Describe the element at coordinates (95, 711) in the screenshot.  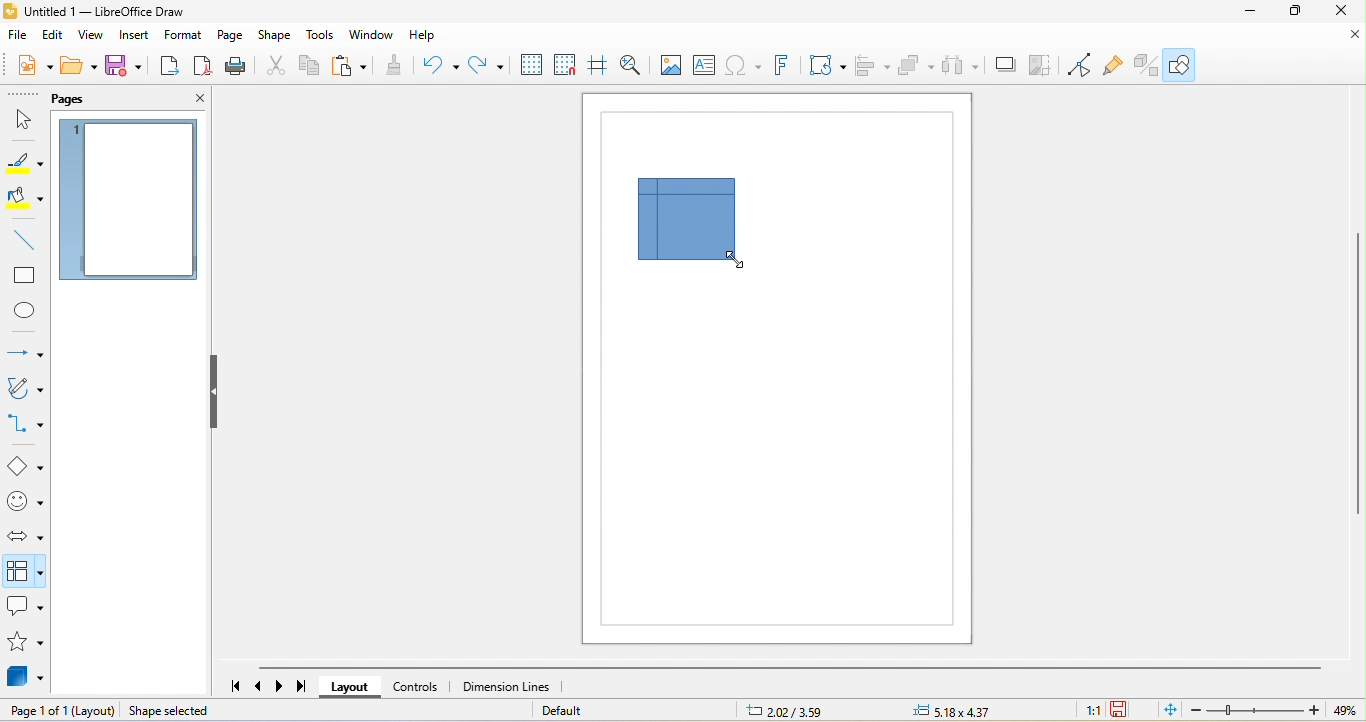
I see `(layout)` at that location.